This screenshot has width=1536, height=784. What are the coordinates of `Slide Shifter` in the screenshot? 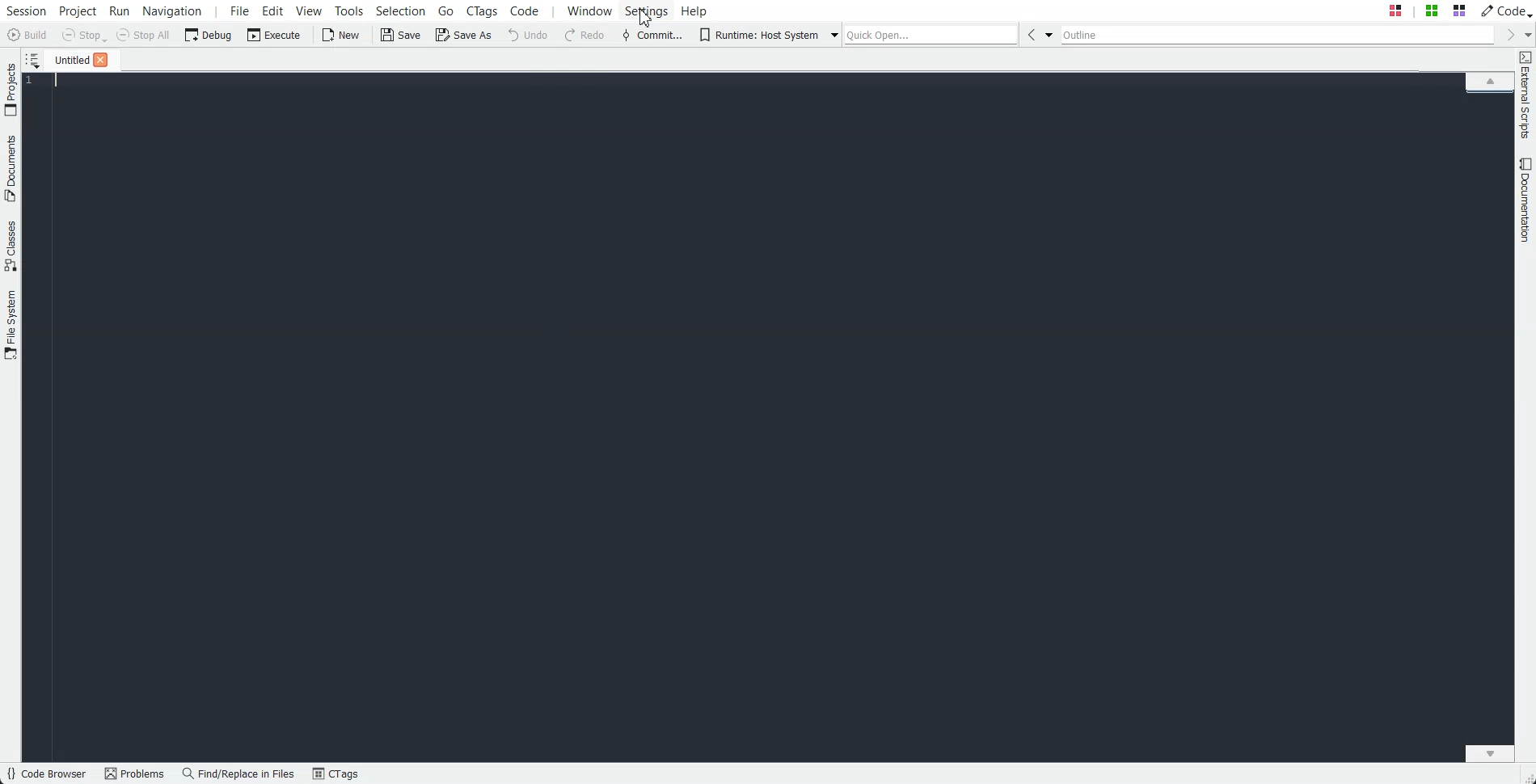 It's located at (1526, 776).